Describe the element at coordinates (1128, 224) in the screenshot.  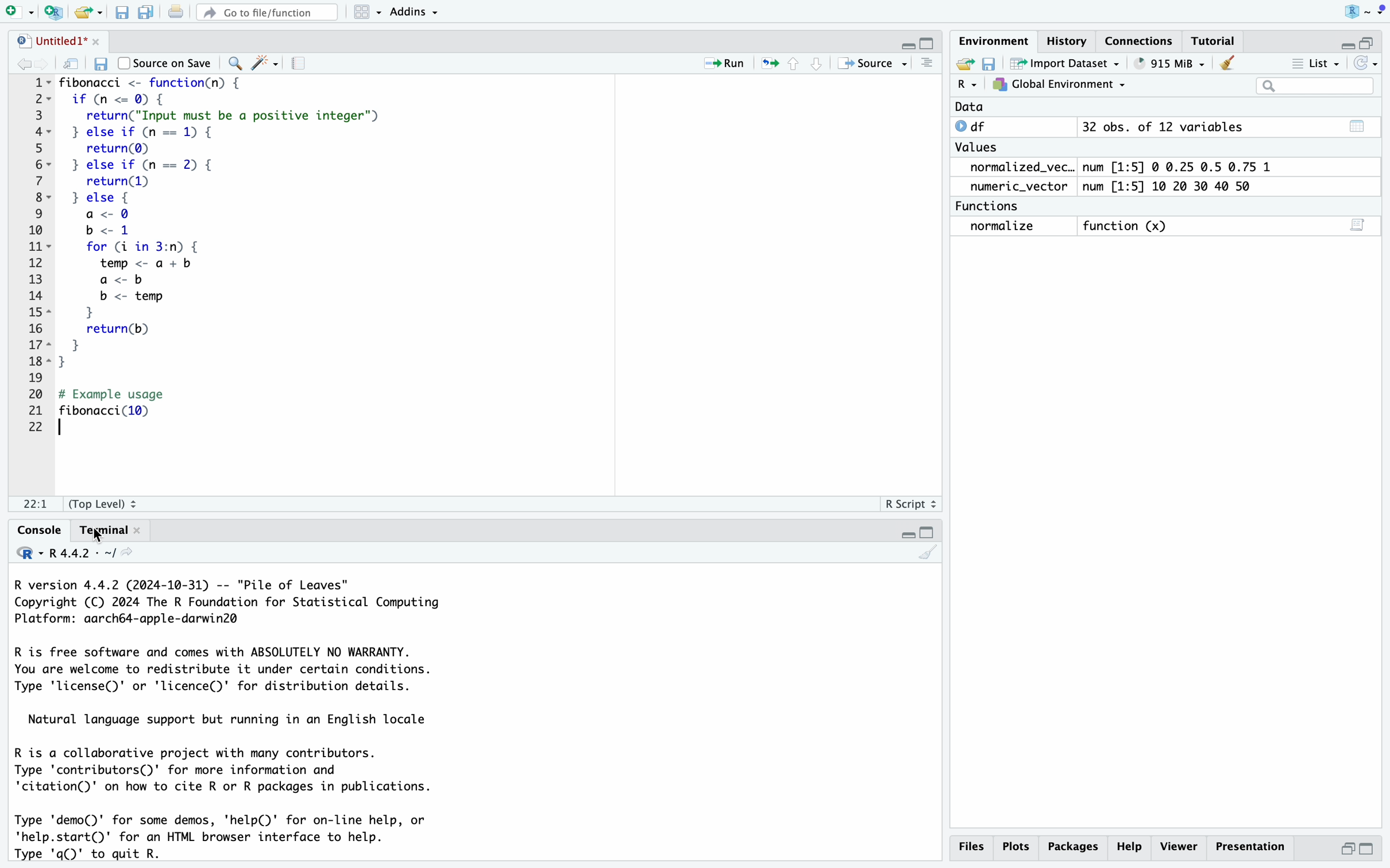
I see `function (x)` at that location.